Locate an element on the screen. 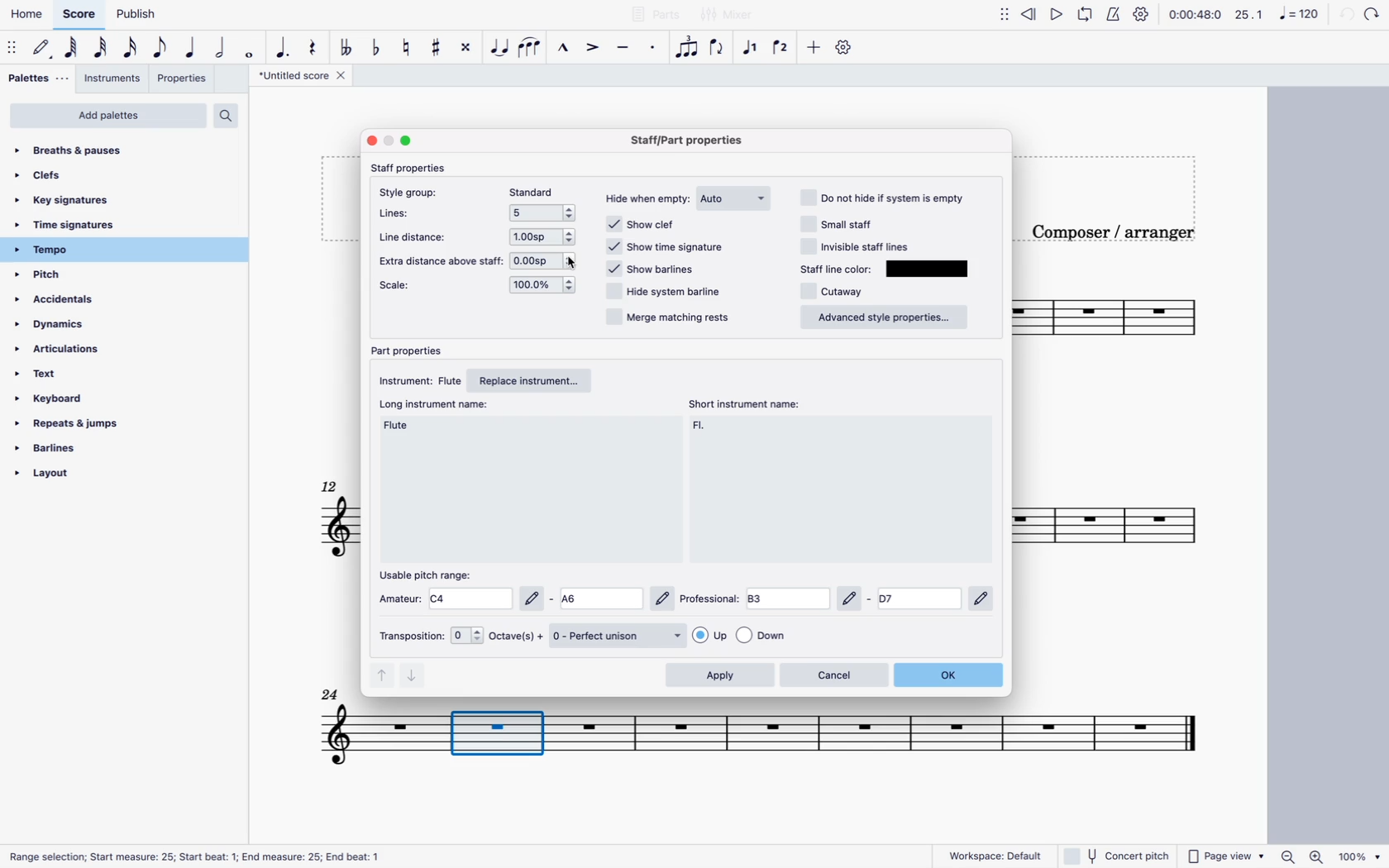  tenuto is located at coordinates (623, 50).